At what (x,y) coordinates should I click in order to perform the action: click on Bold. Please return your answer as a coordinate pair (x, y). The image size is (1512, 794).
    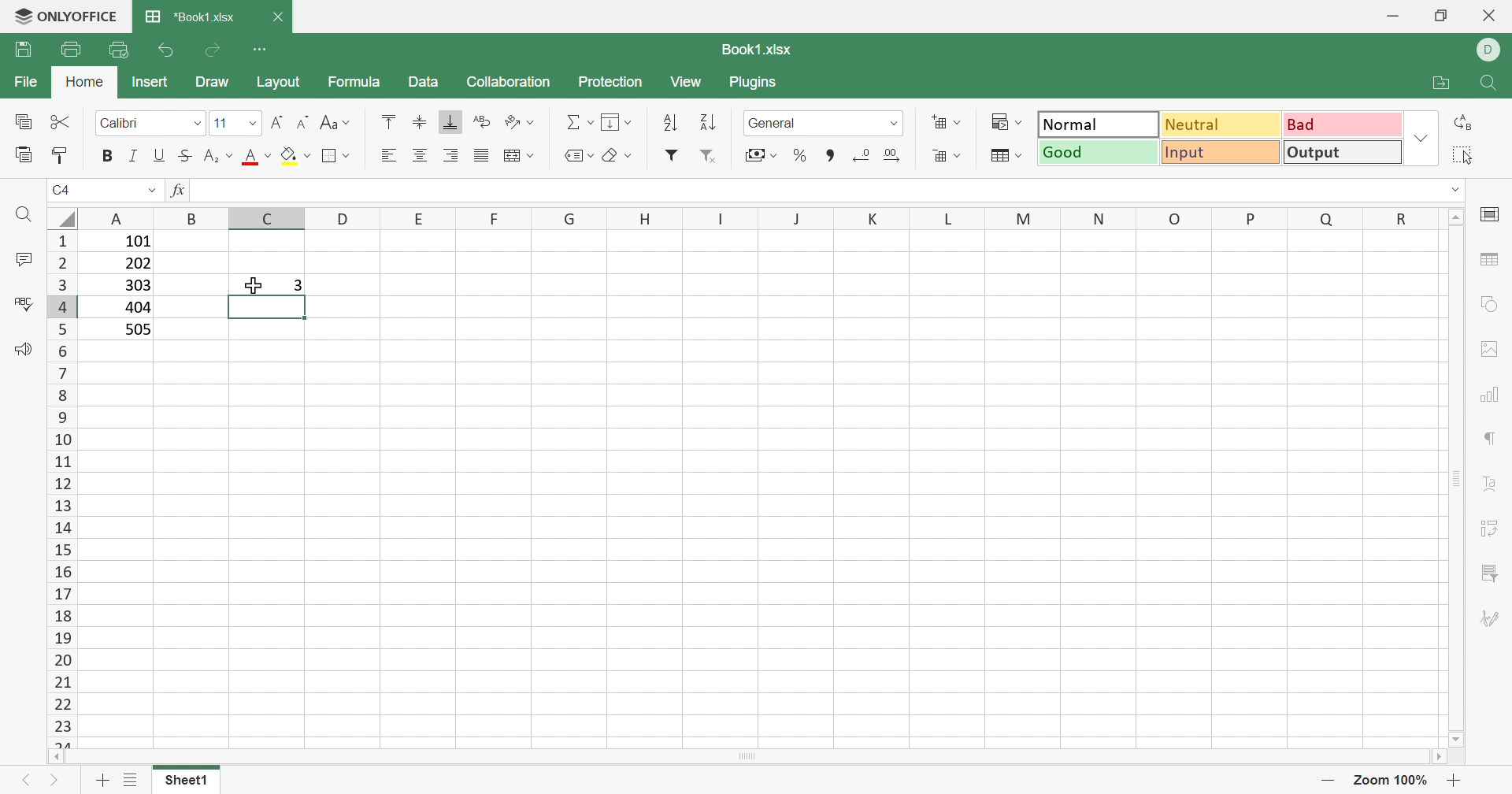
    Looking at the image, I should click on (106, 155).